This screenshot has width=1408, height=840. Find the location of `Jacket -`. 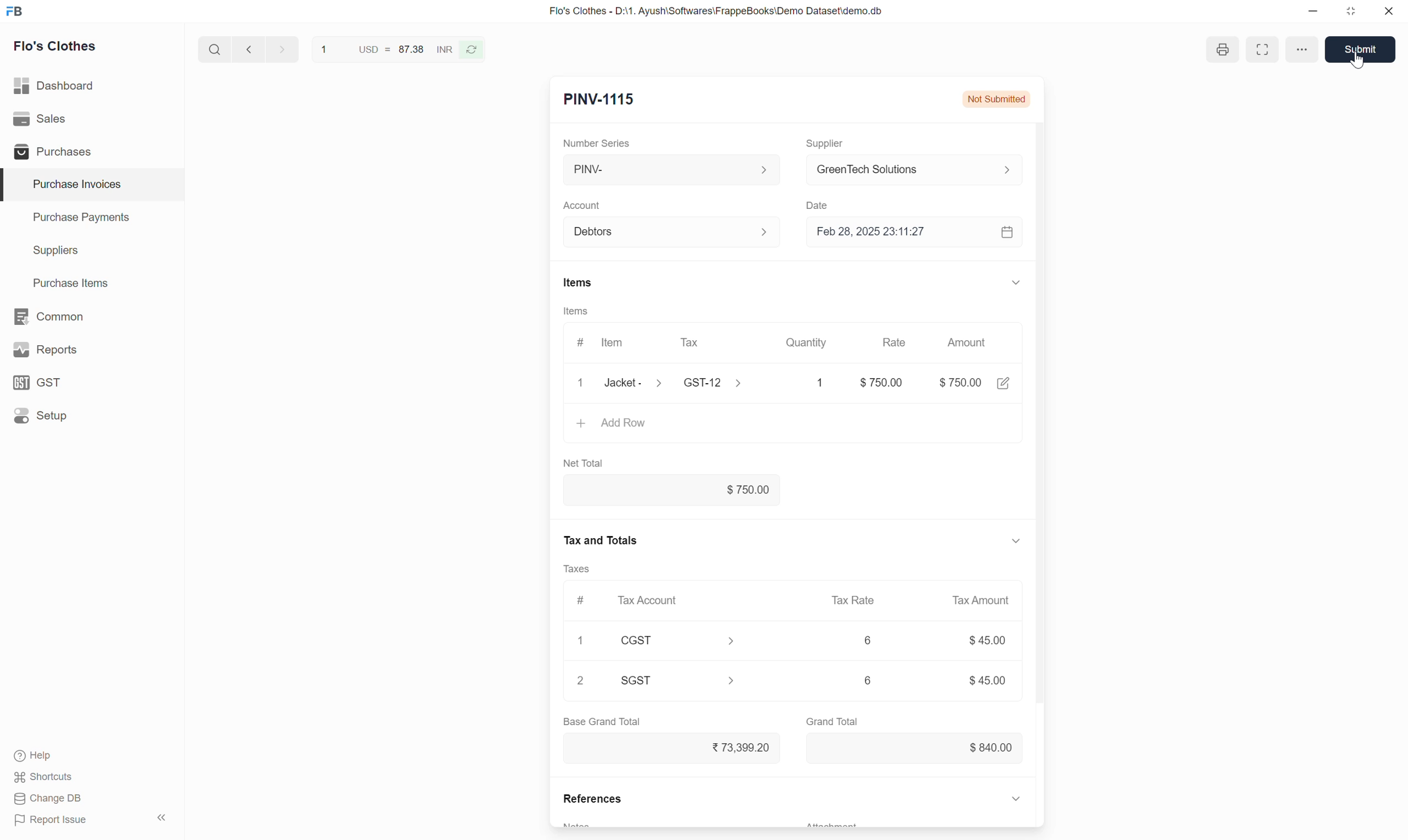

Jacket - is located at coordinates (636, 383).